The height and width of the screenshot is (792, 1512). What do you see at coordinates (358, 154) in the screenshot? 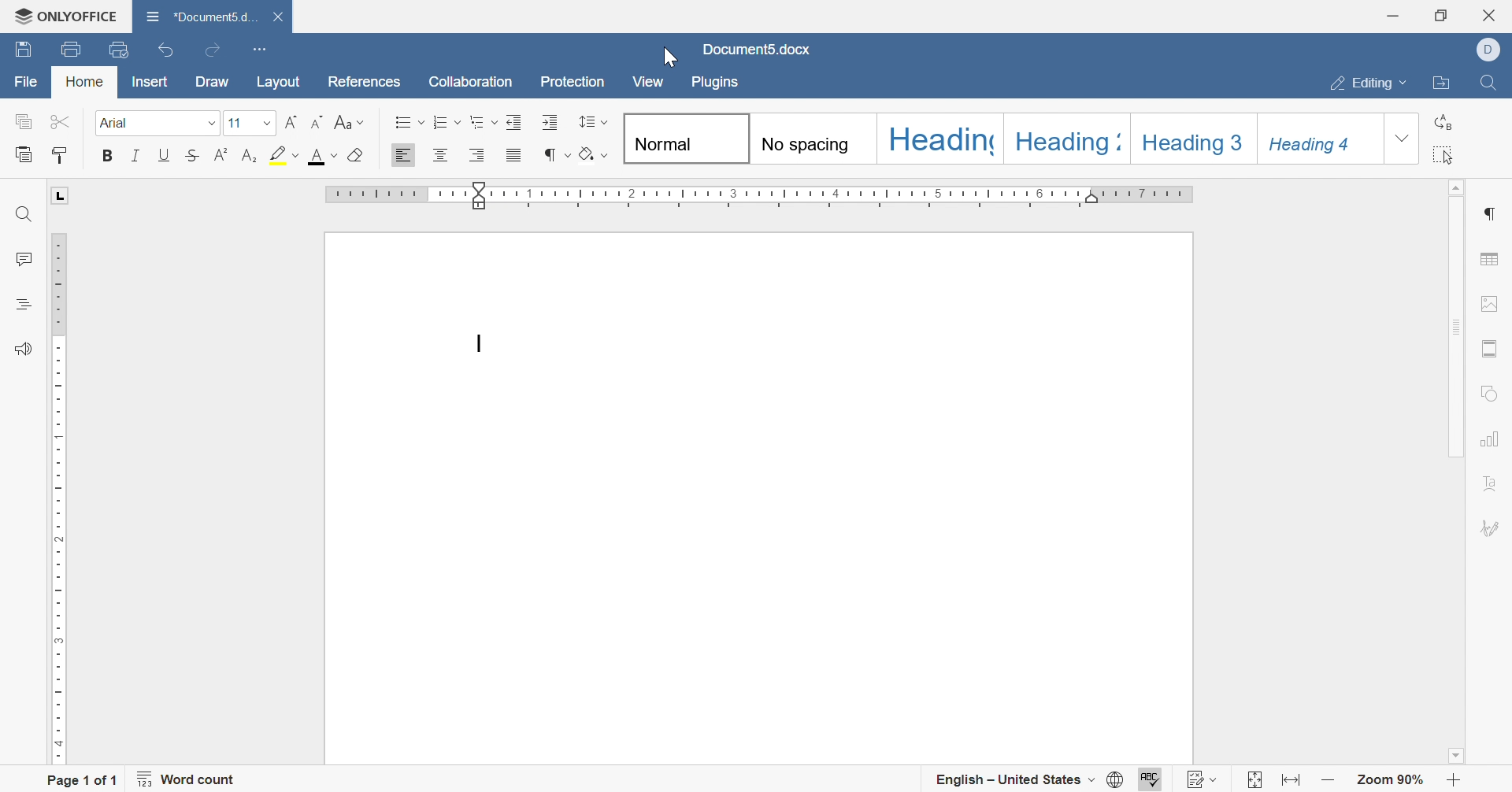
I see `clear style` at bounding box center [358, 154].